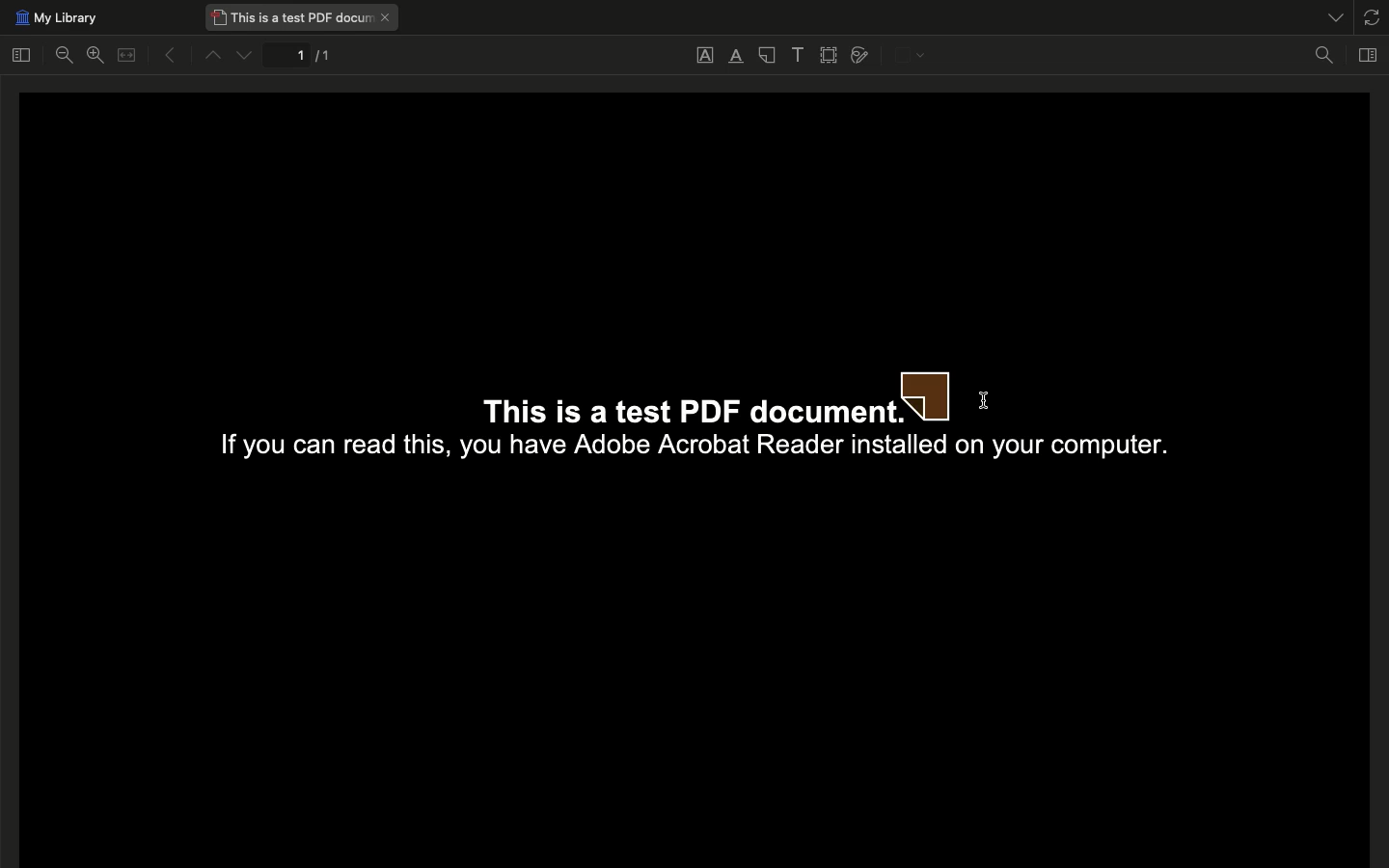  What do you see at coordinates (931, 403) in the screenshot?
I see `cursor` at bounding box center [931, 403].